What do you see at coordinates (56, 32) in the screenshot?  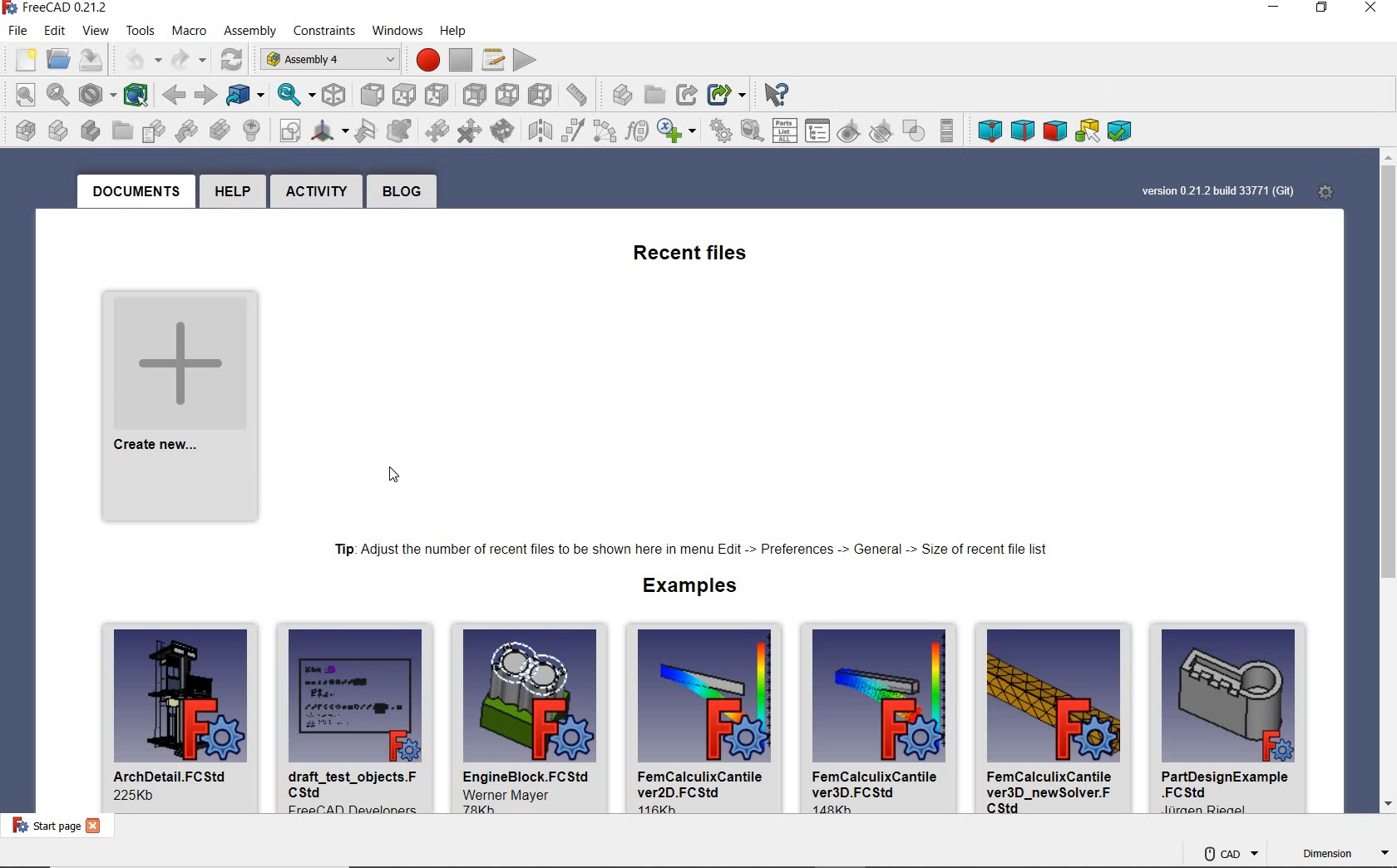 I see `edit` at bounding box center [56, 32].